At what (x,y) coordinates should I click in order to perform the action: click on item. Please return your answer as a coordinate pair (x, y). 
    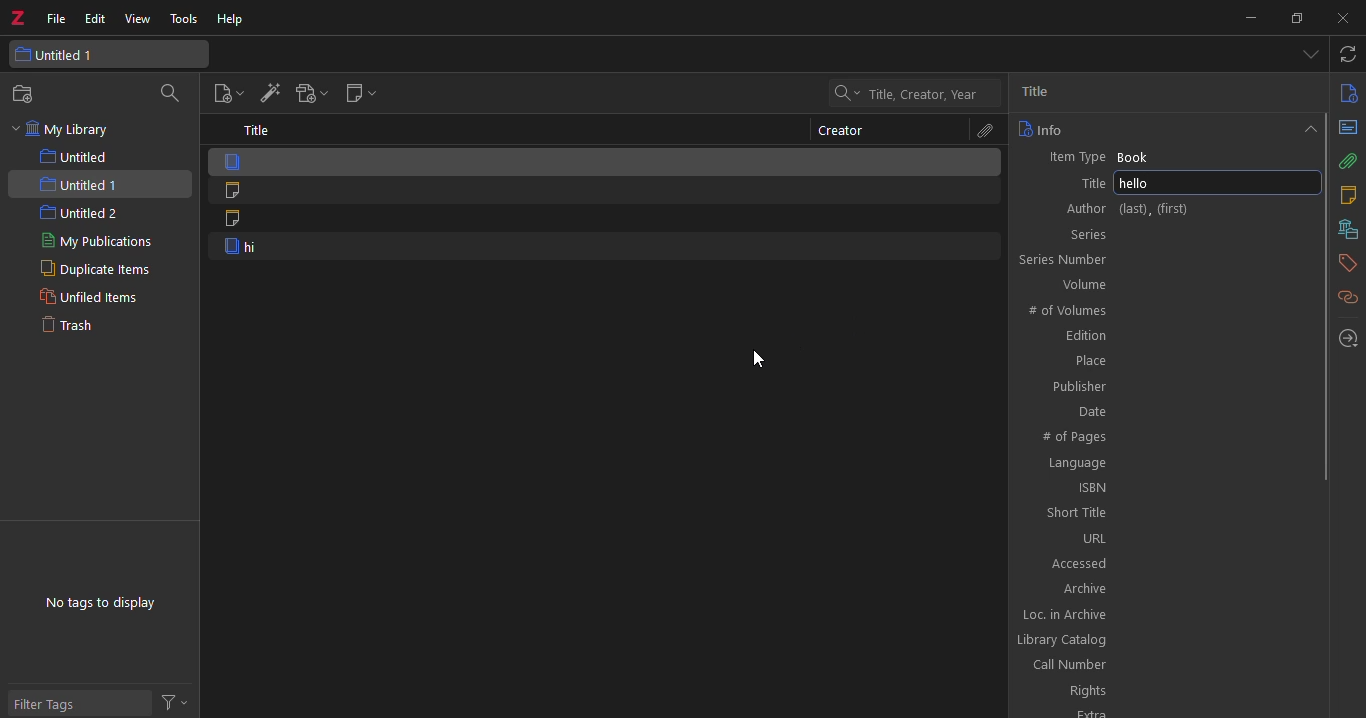
    Looking at the image, I should click on (603, 248).